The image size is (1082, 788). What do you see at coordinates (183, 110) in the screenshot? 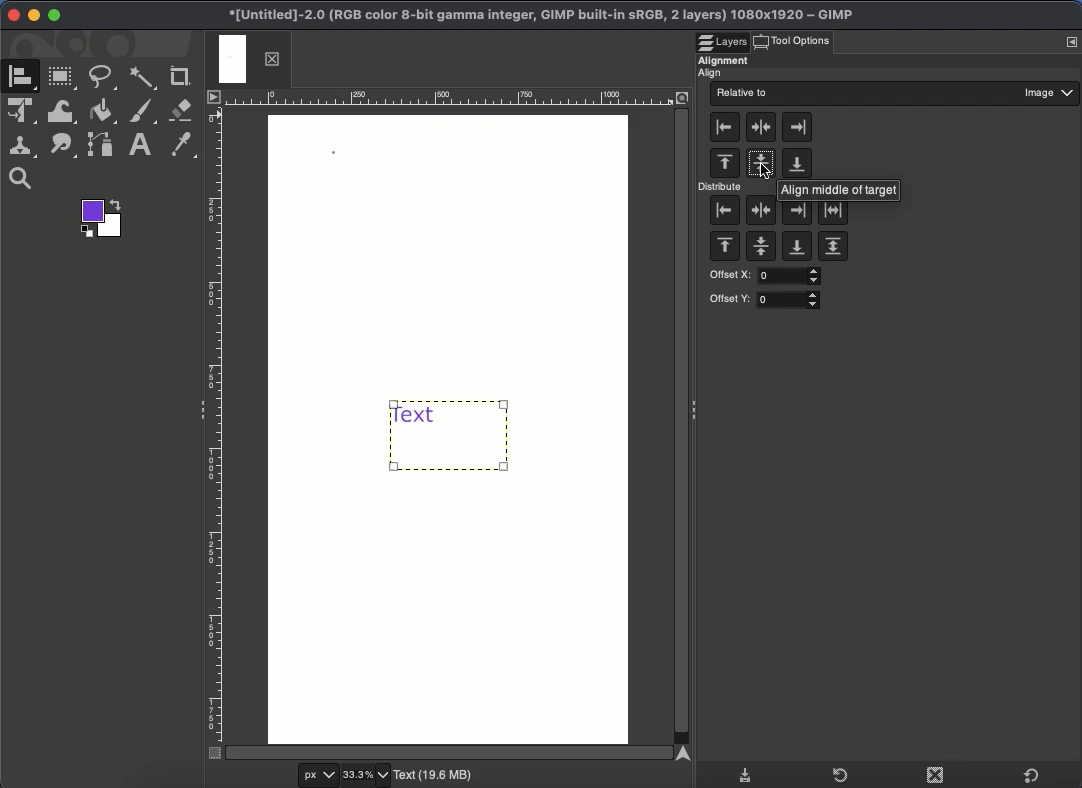
I see `Erase` at bounding box center [183, 110].